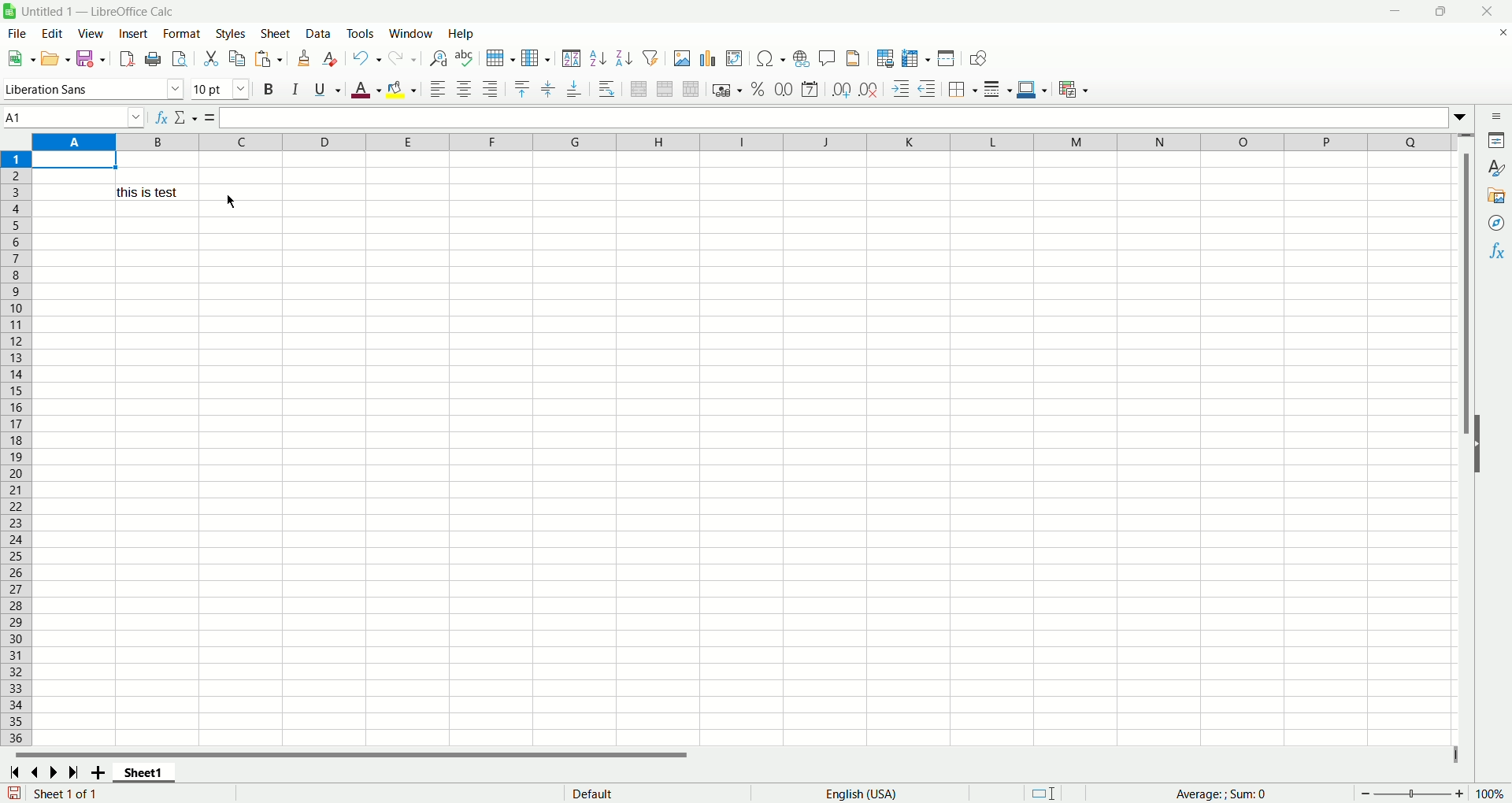 This screenshot has width=1512, height=803. Describe the element at coordinates (831, 117) in the screenshot. I see `input line` at that location.